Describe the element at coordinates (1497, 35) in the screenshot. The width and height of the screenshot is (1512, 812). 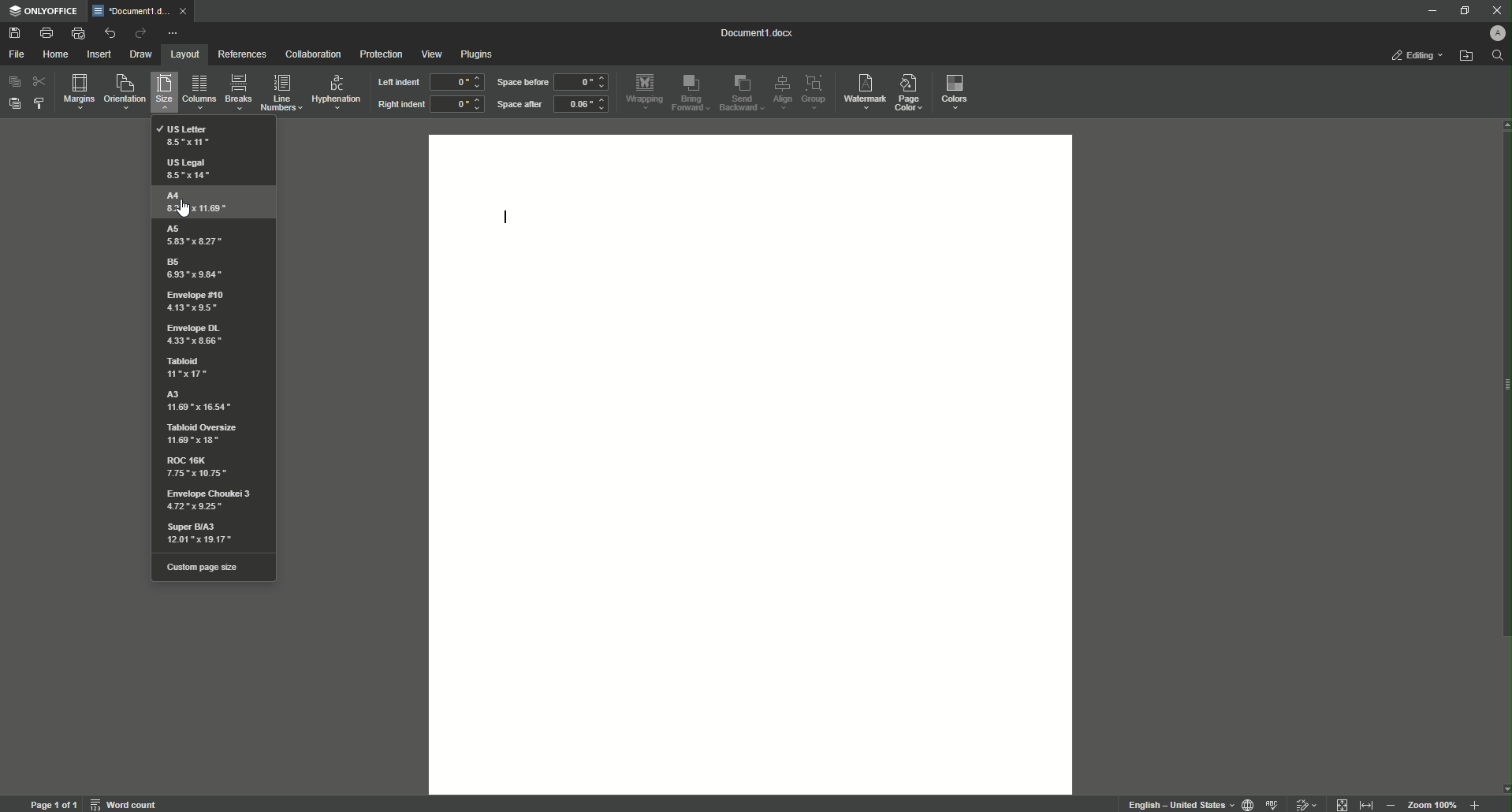
I see `Profile` at that location.